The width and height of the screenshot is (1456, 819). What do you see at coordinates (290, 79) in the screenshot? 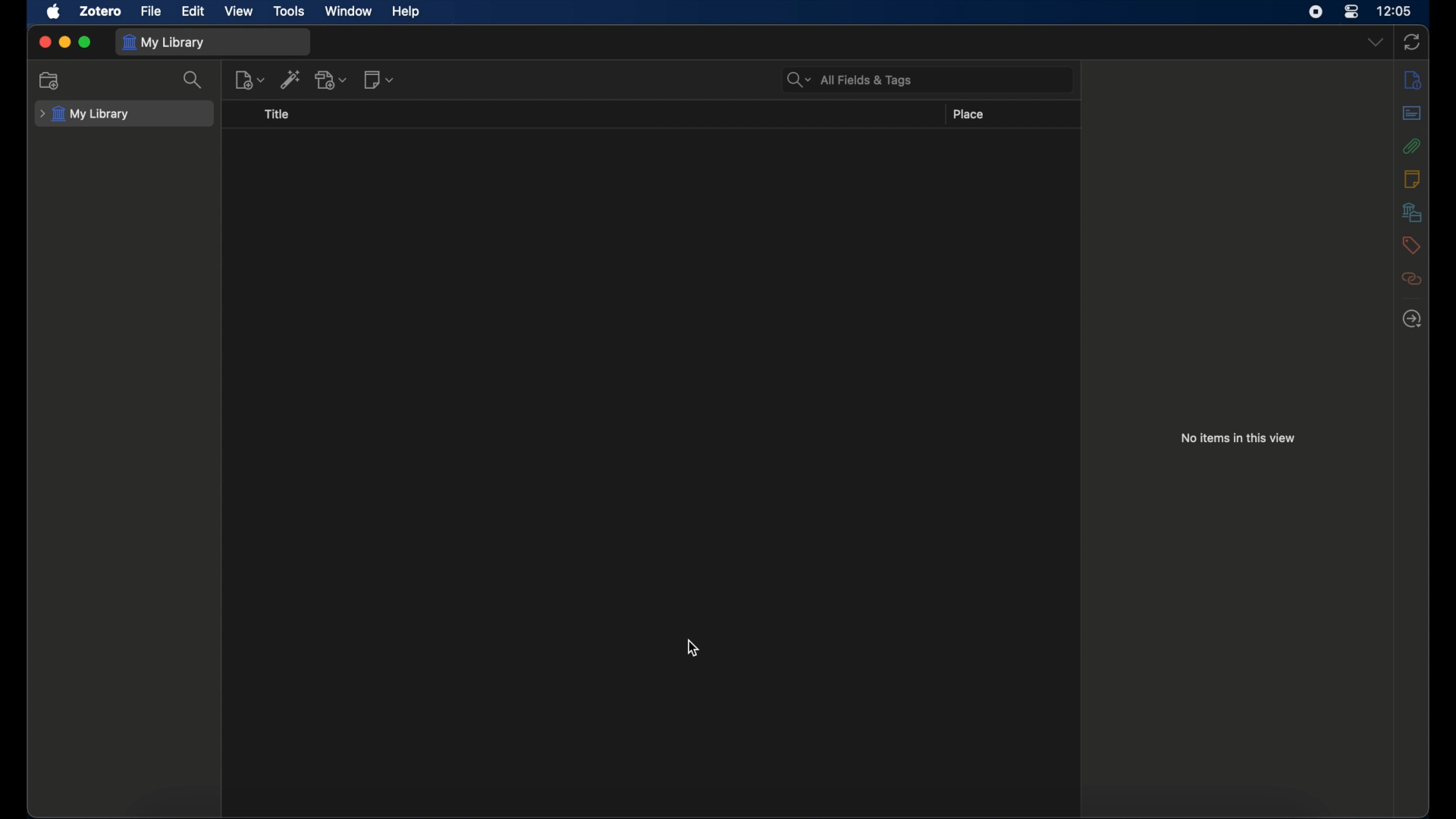
I see `add item by identifier` at bounding box center [290, 79].